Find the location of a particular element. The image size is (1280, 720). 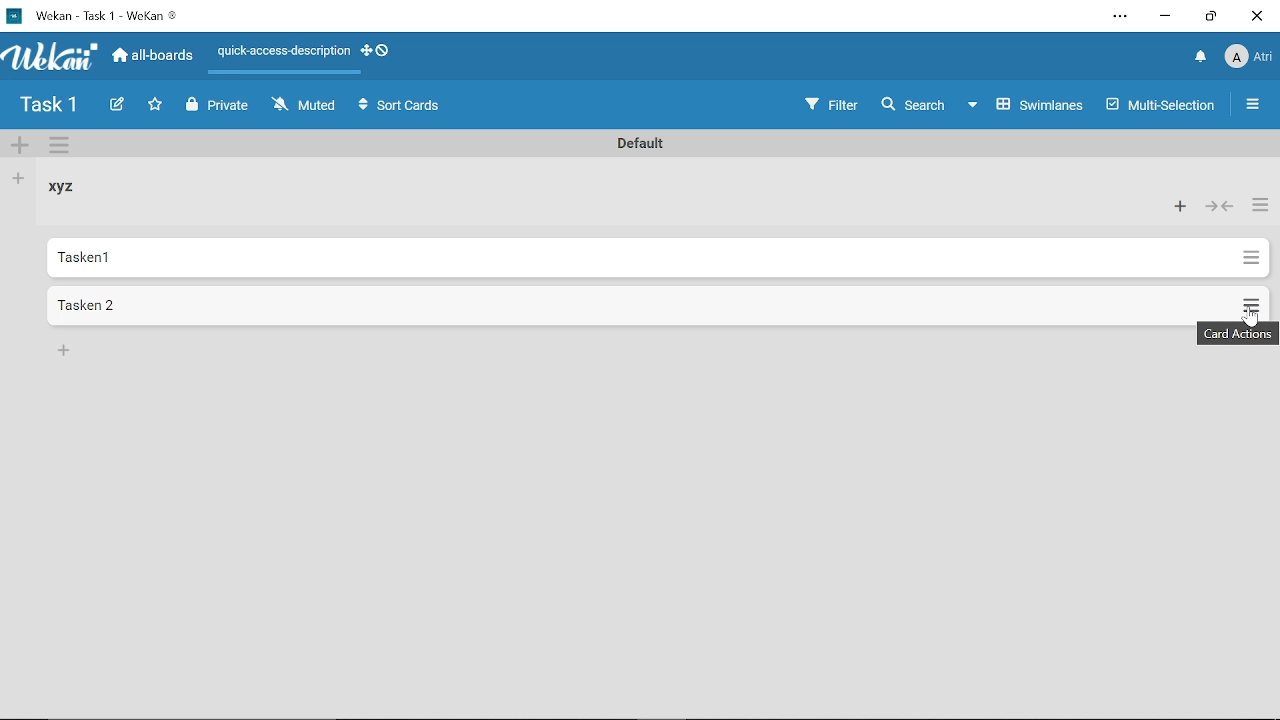

Multiselection is located at coordinates (1162, 109).